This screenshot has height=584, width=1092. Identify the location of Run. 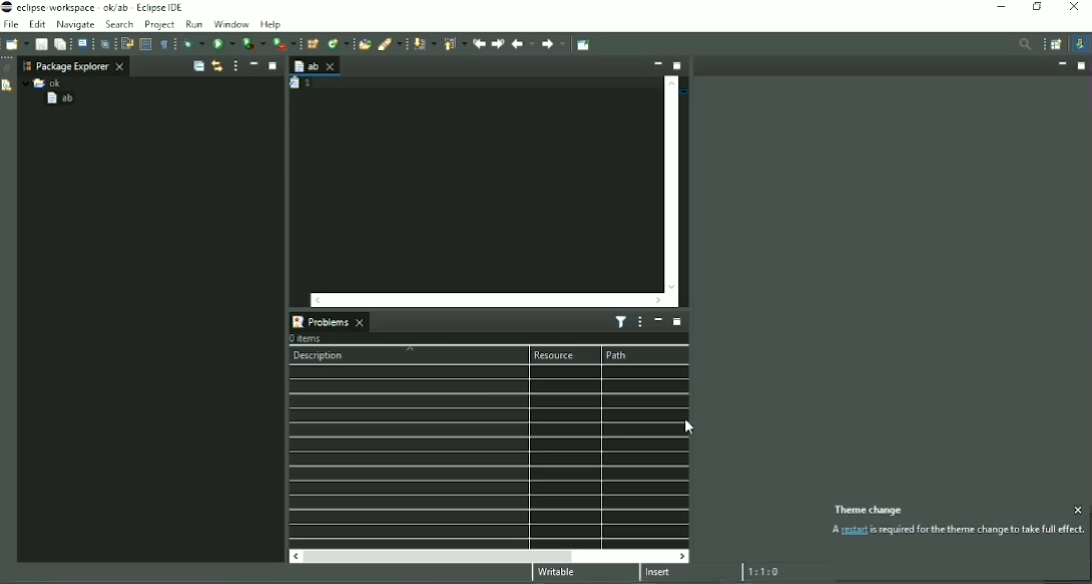
(195, 24).